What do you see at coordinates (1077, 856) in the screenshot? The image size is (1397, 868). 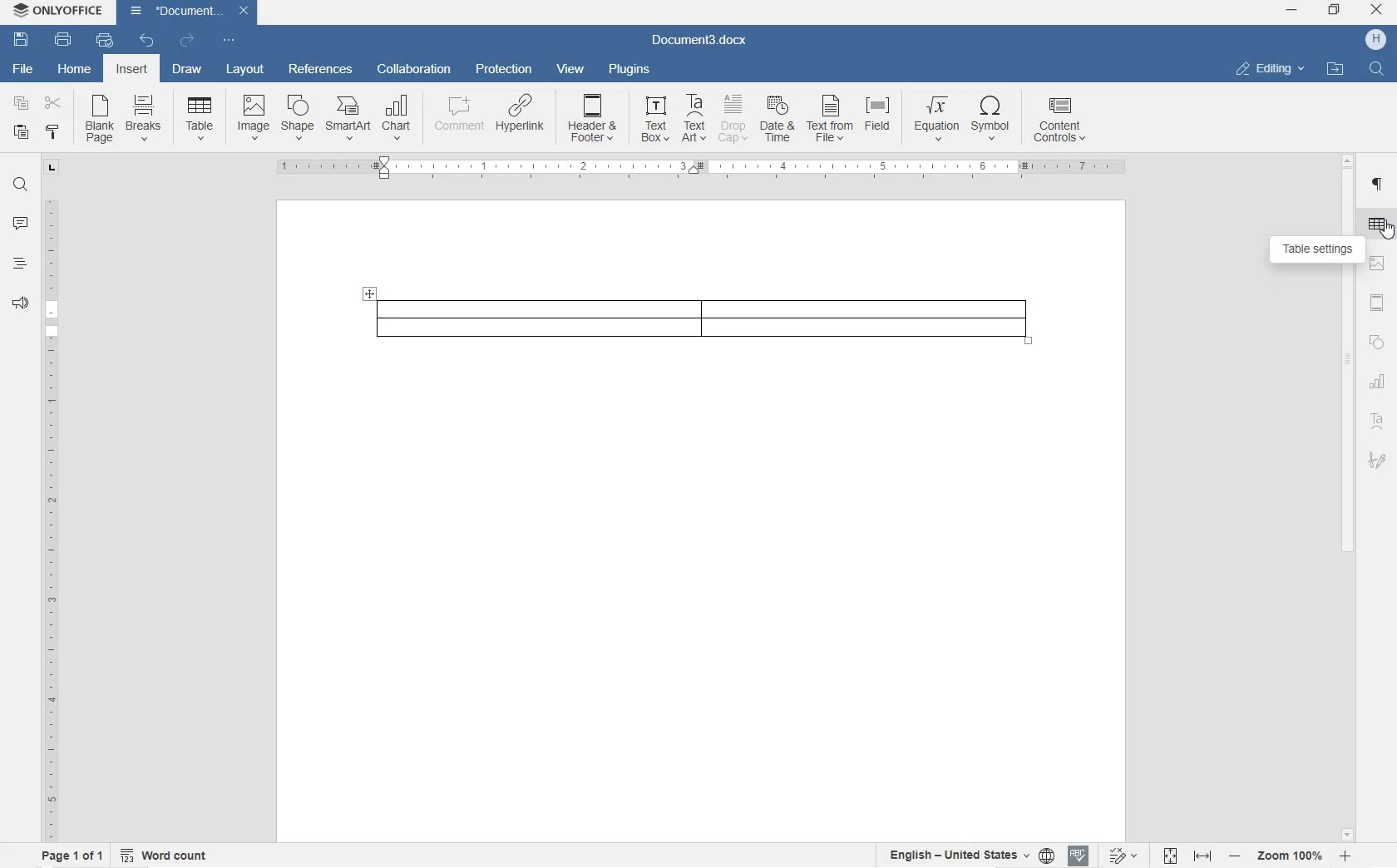 I see `SPELL CHECKING` at bounding box center [1077, 856].